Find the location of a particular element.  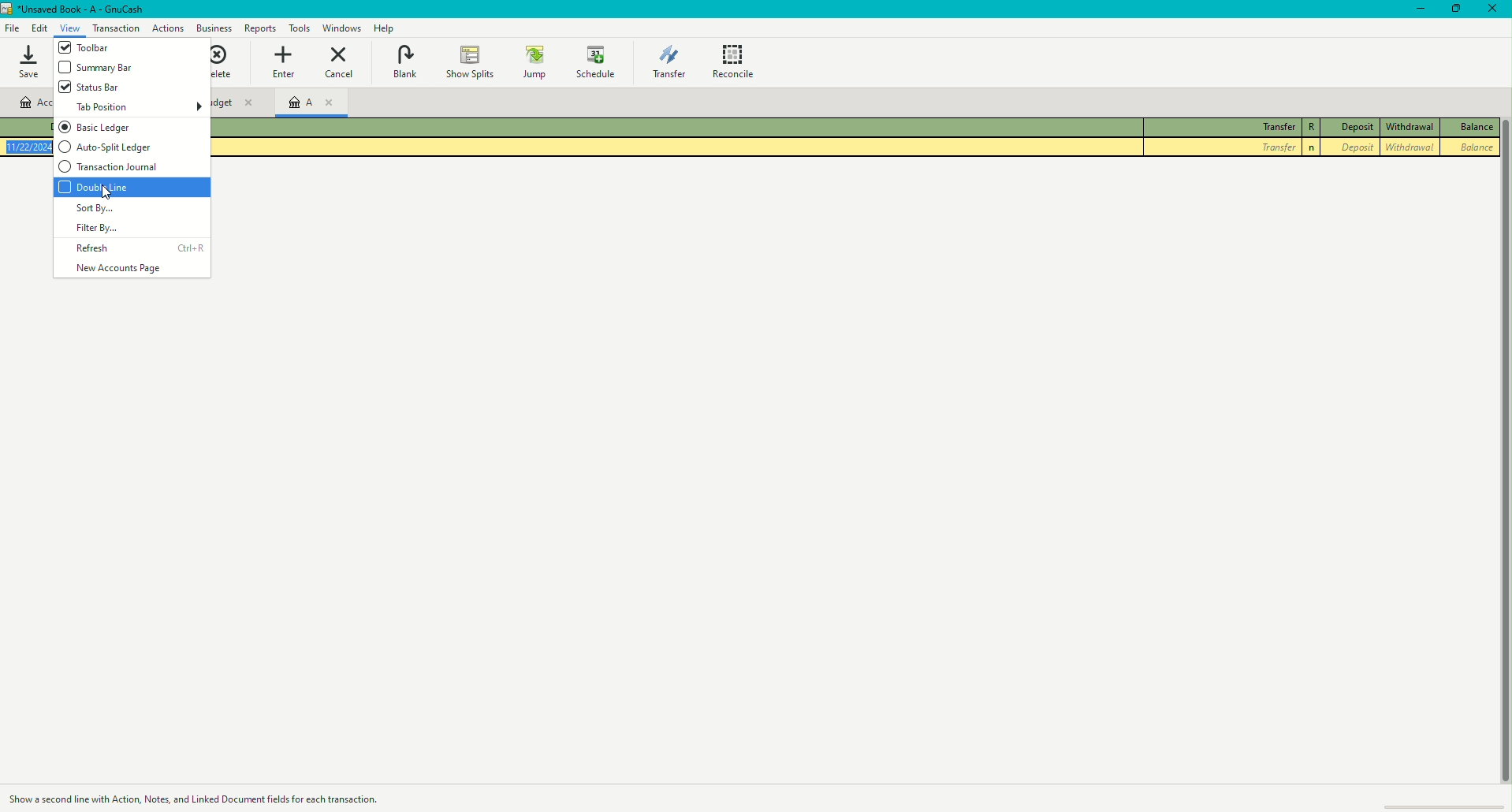

Deposit is located at coordinates (1356, 127).